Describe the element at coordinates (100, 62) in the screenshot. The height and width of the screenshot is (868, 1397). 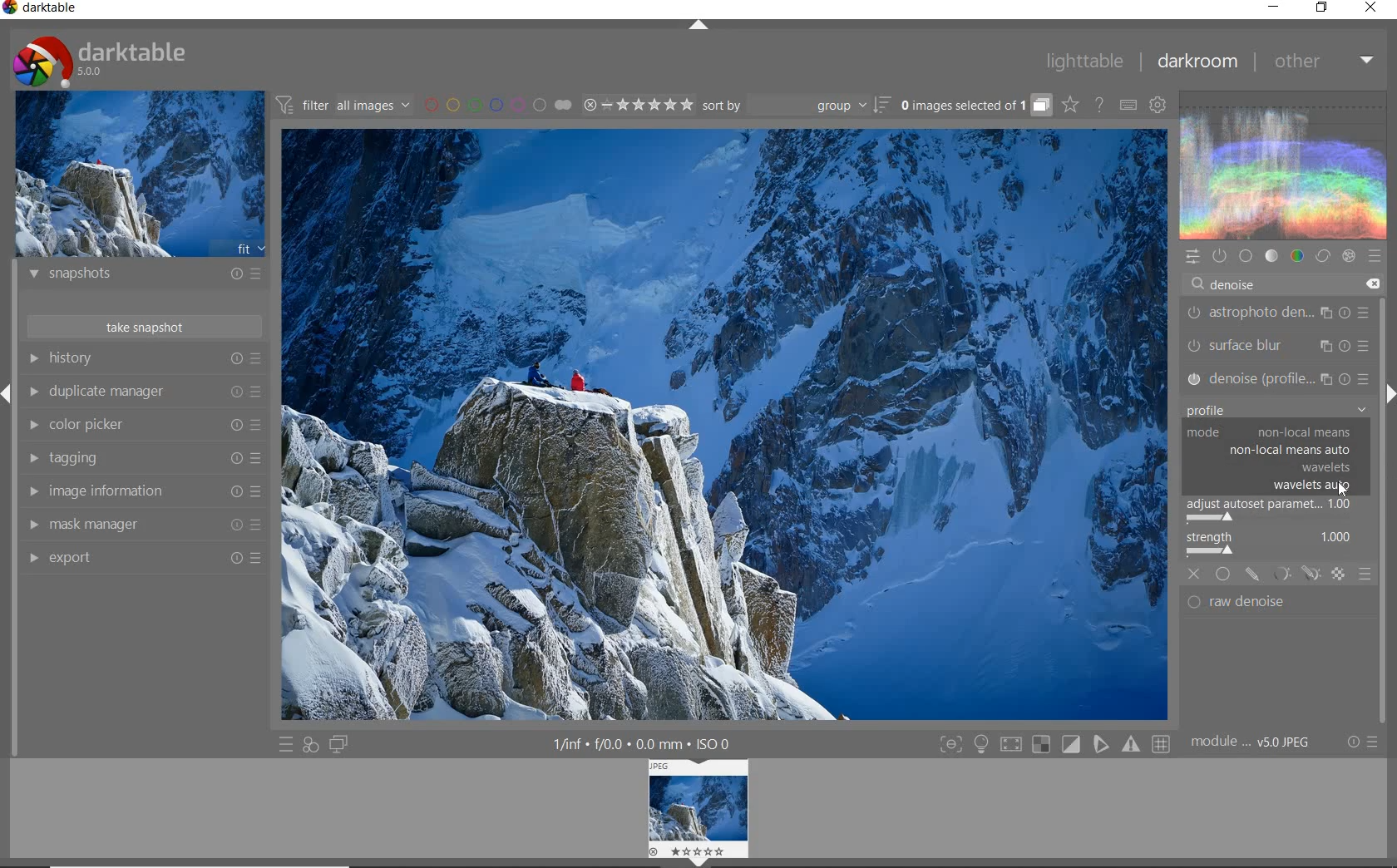
I see `Darktable 5.0.0` at that location.